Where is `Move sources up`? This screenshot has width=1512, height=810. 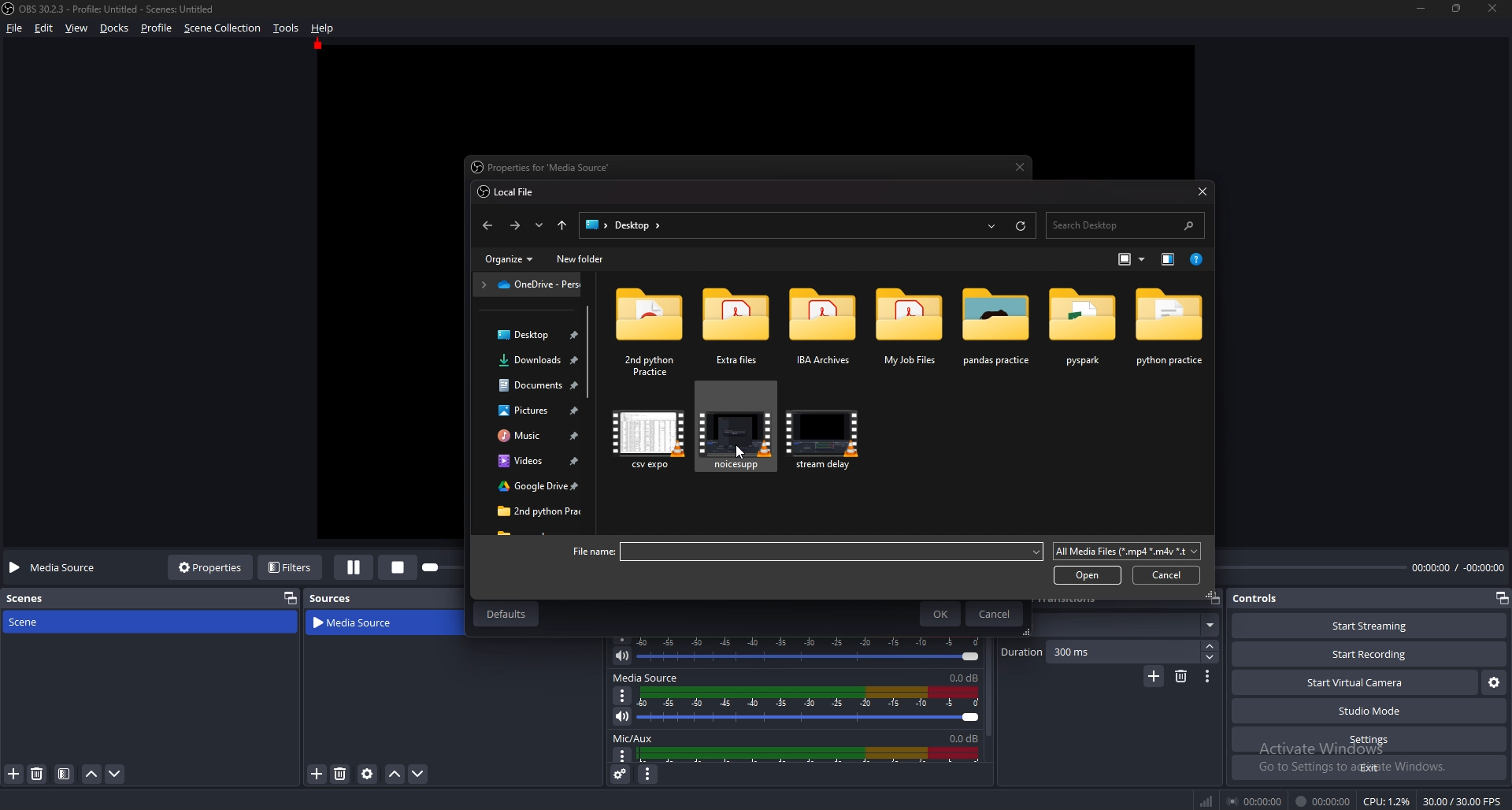 Move sources up is located at coordinates (395, 775).